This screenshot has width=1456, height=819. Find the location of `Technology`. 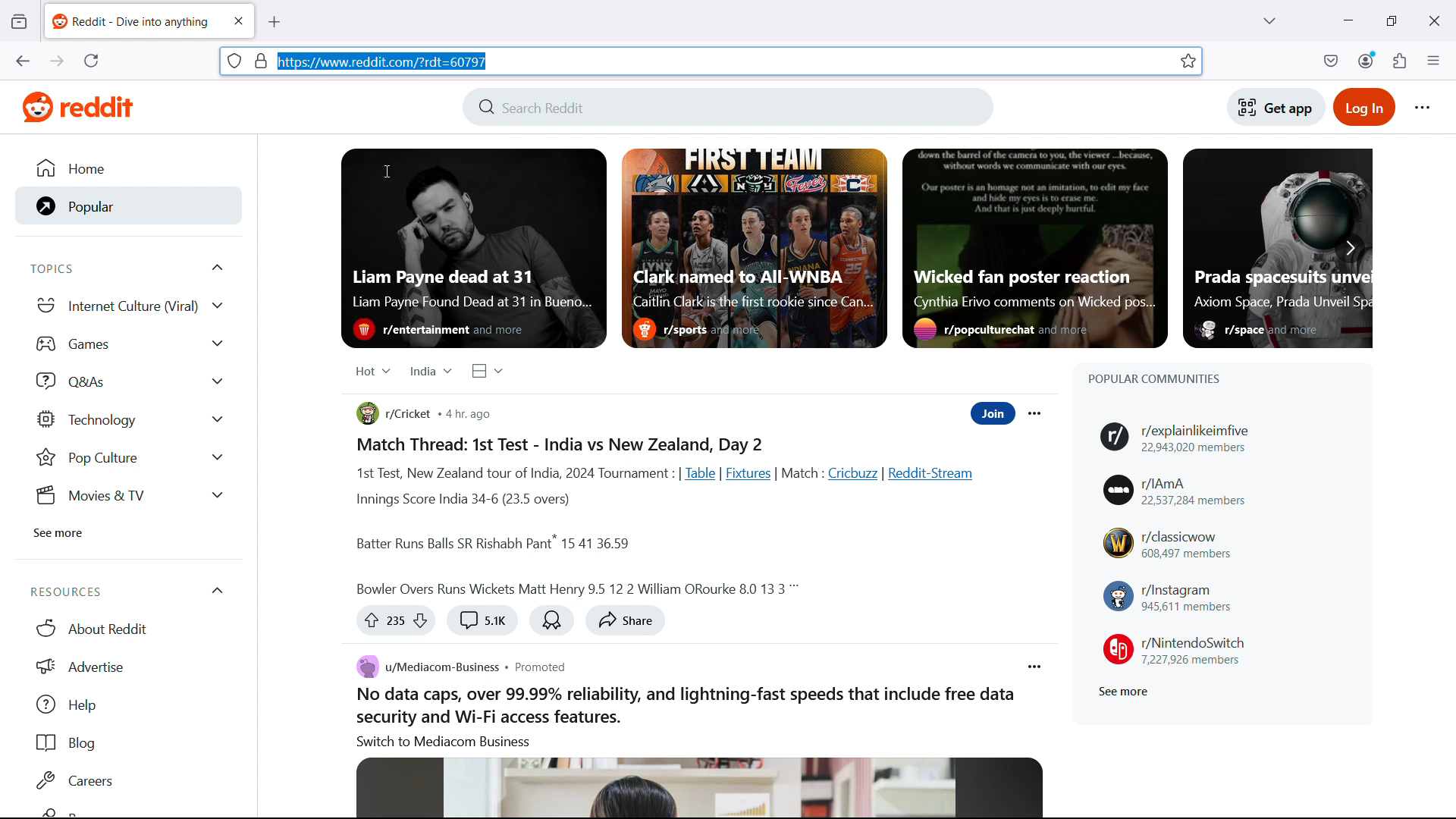

Technology is located at coordinates (131, 421).